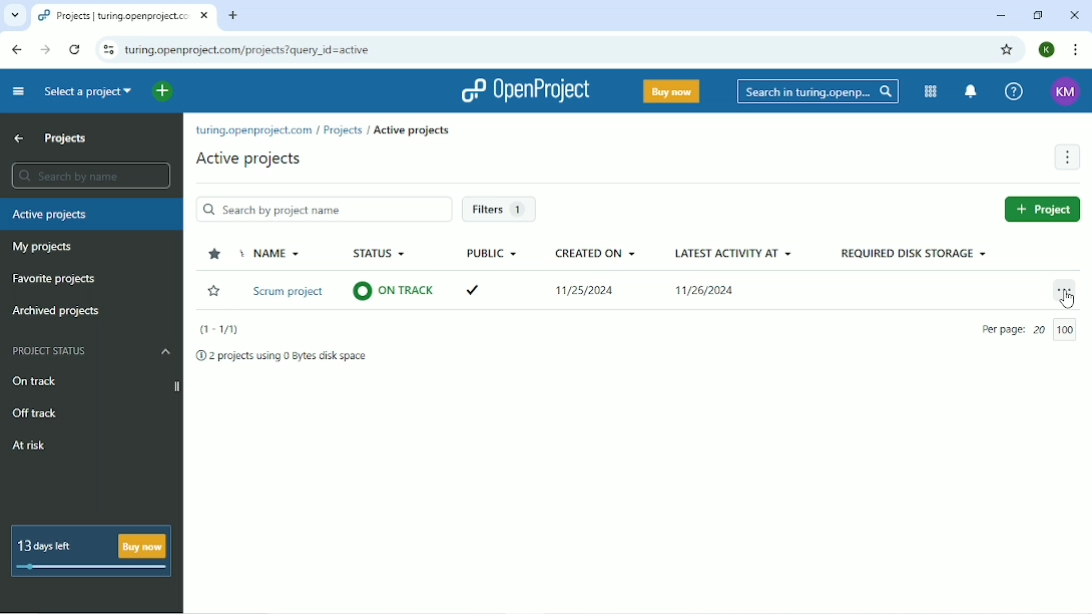 Image resolution: width=1092 pixels, height=614 pixels. Describe the element at coordinates (45, 50) in the screenshot. I see `Forward` at that location.